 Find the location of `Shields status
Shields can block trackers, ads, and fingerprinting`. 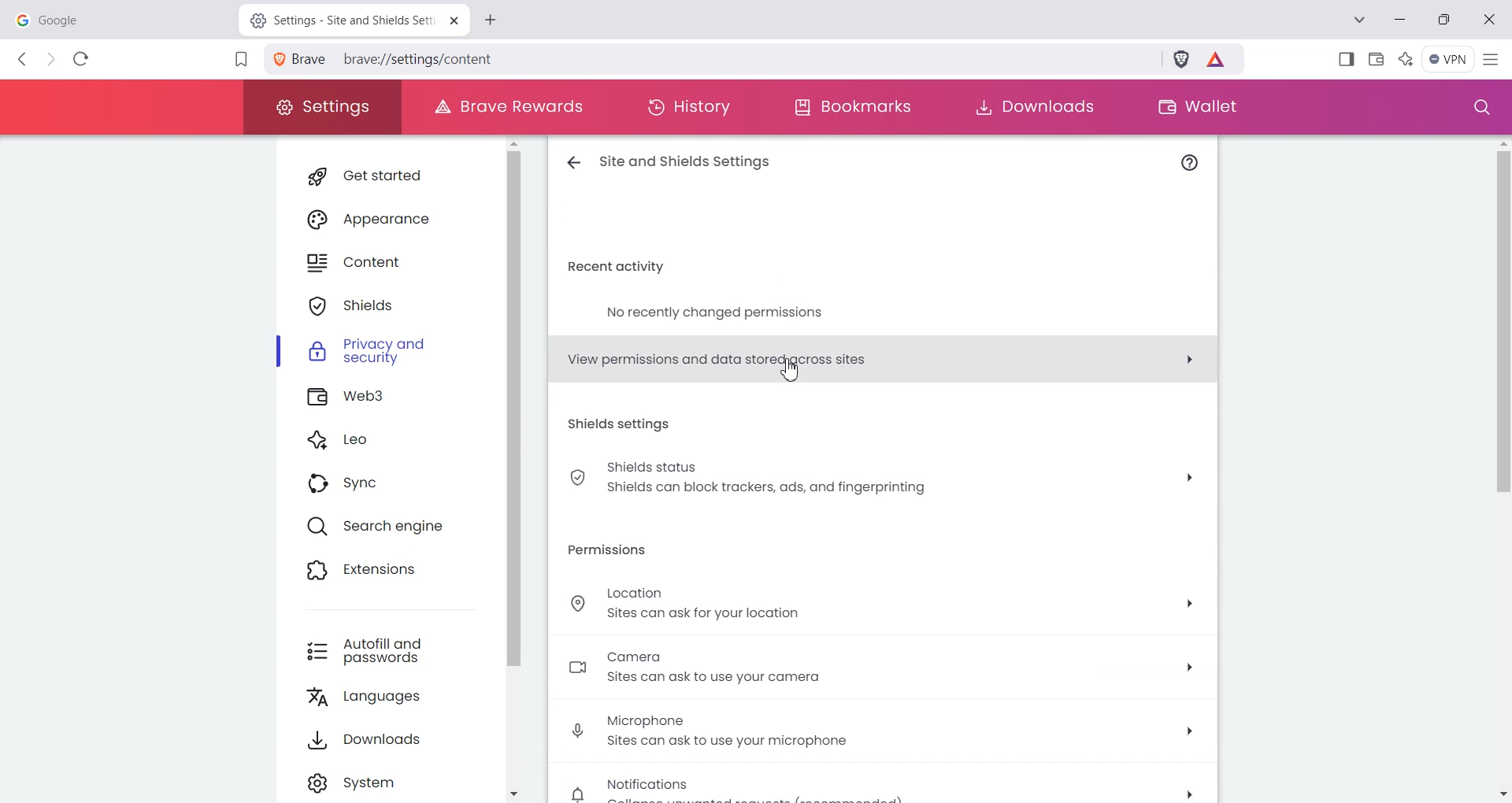

Shields status
Shields can block trackers, ads, and fingerprinting is located at coordinates (881, 476).